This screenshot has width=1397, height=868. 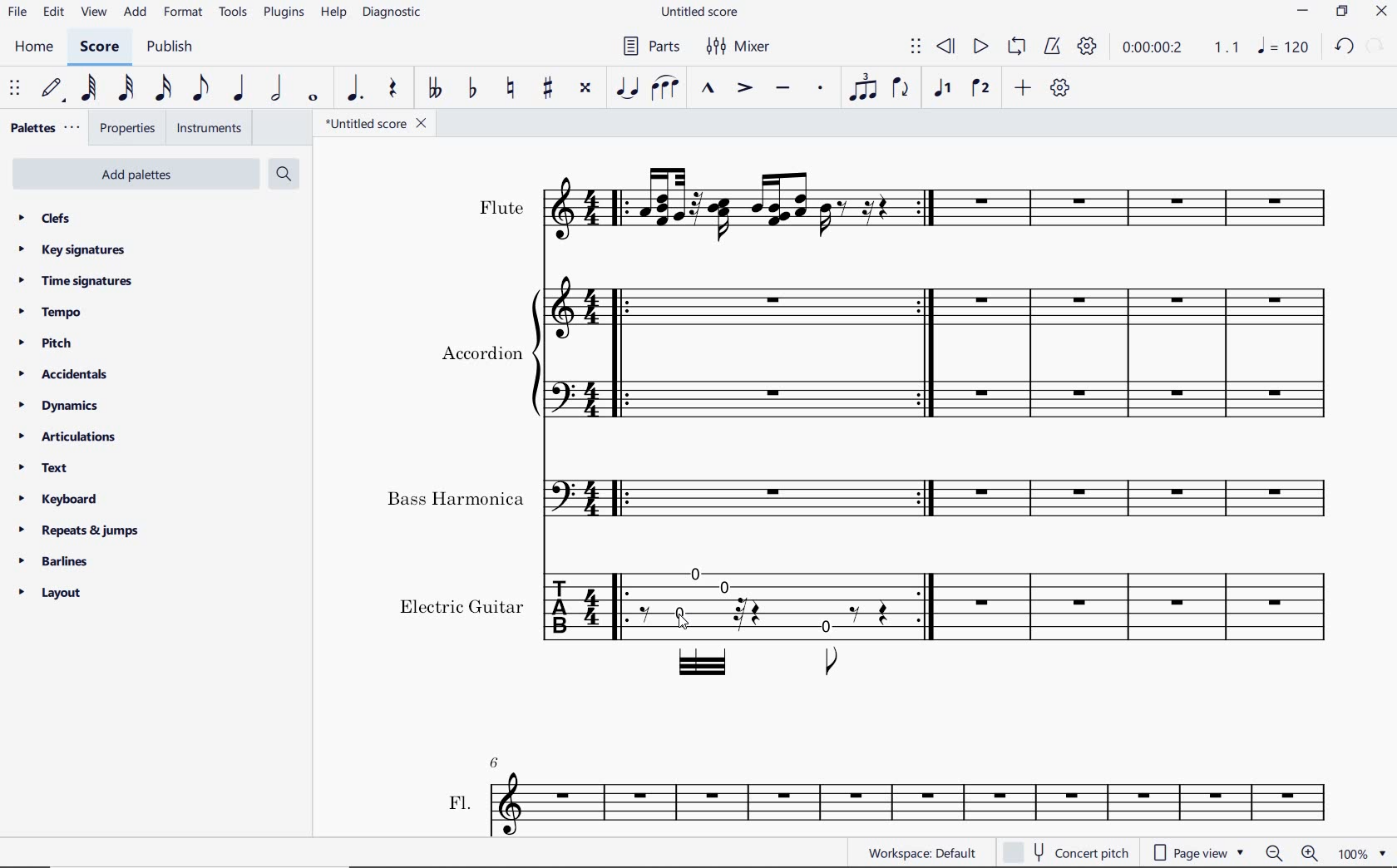 What do you see at coordinates (56, 560) in the screenshot?
I see `barlines` at bounding box center [56, 560].